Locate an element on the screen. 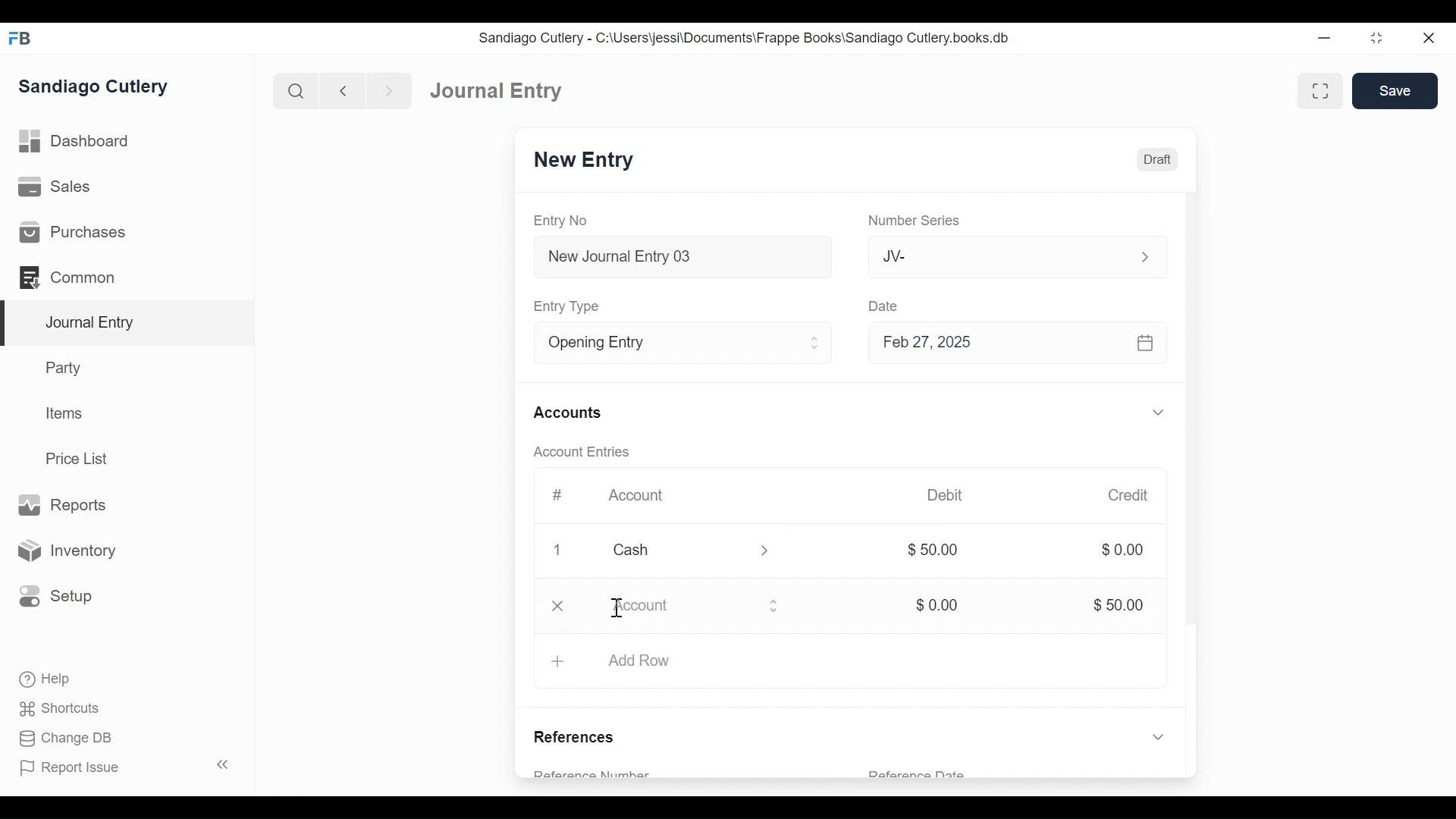 This screenshot has width=1456, height=819. Accounts is located at coordinates (567, 413).